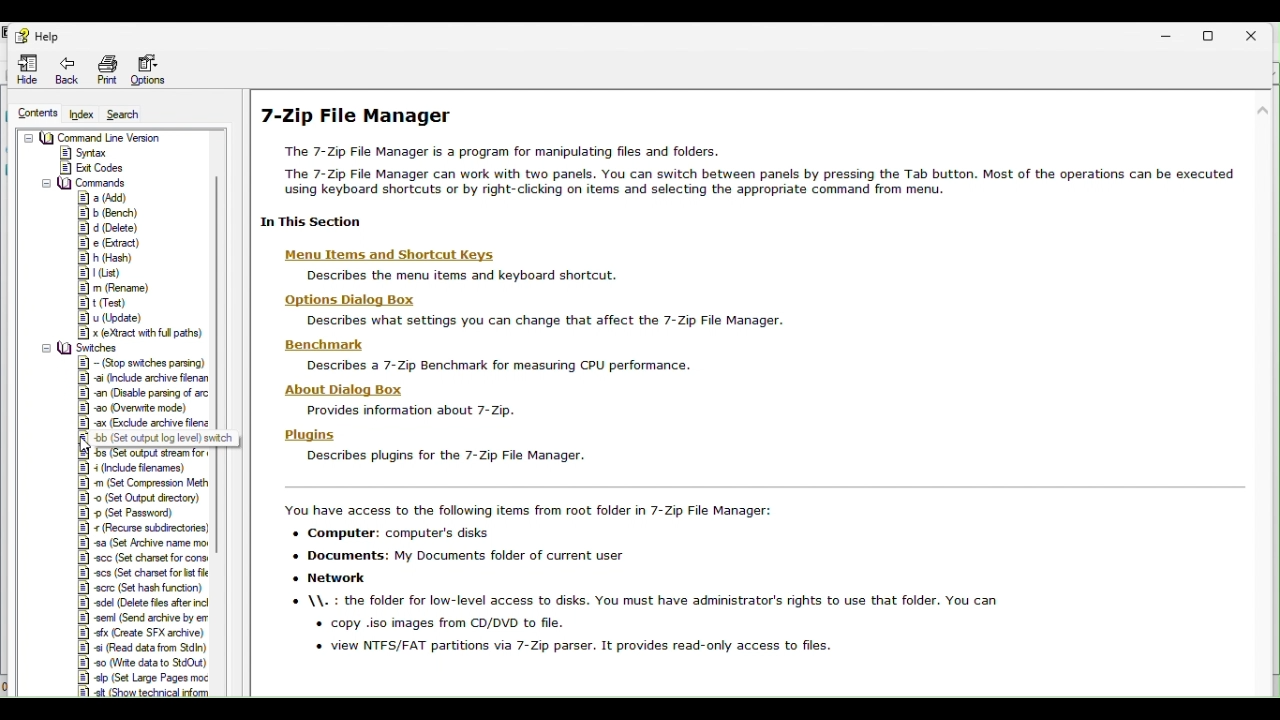 The width and height of the screenshot is (1280, 720). I want to click on | In This Section, so click(320, 221).